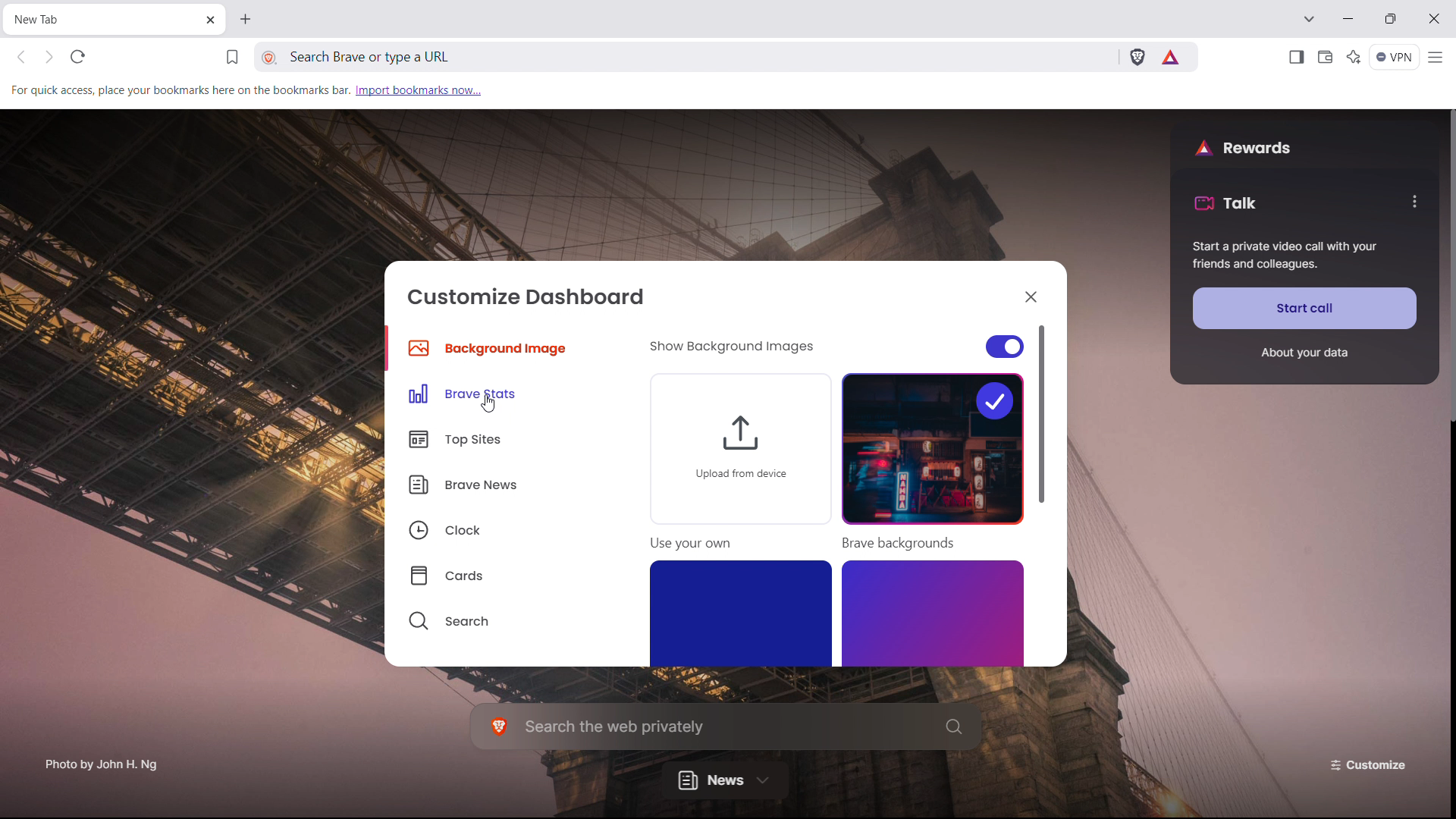 The image size is (1456, 819). I want to click on search brave or type a URL, so click(596, 57).